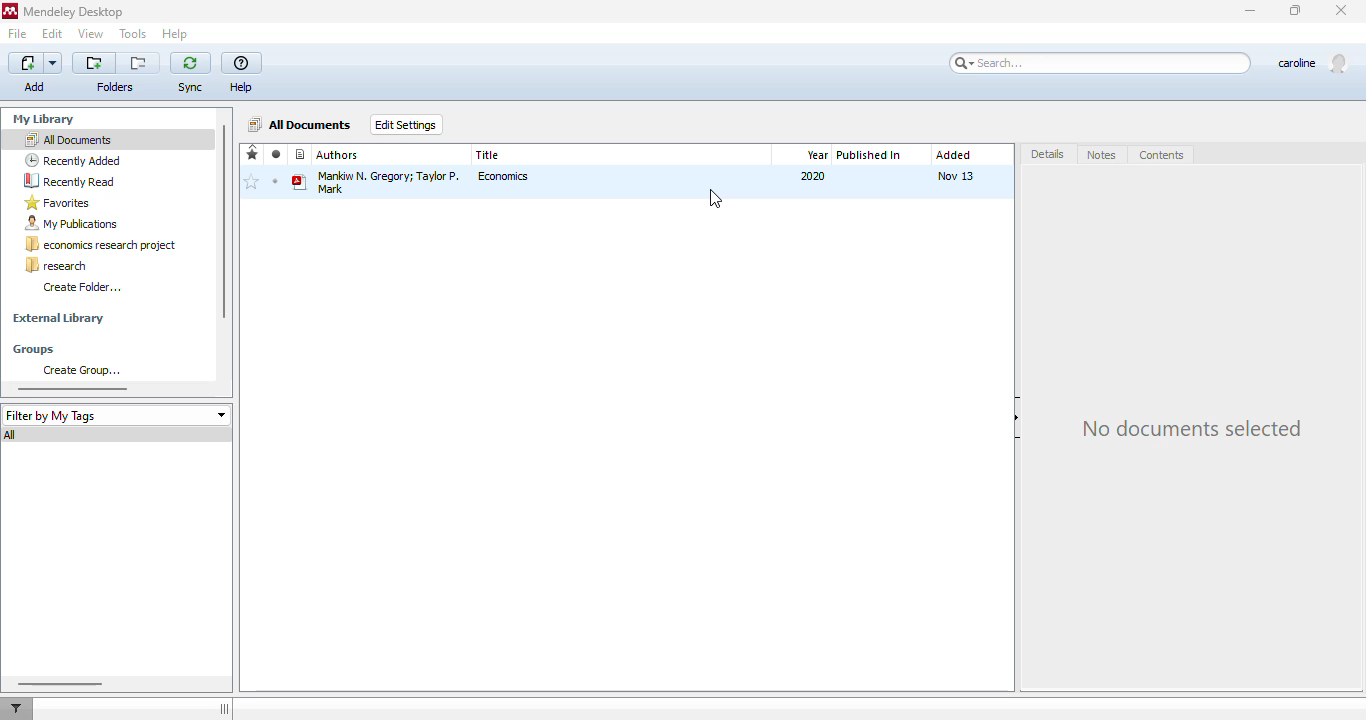 This screenshot has width=1366, height=720. I want to click on notes, so click(1103, 155).